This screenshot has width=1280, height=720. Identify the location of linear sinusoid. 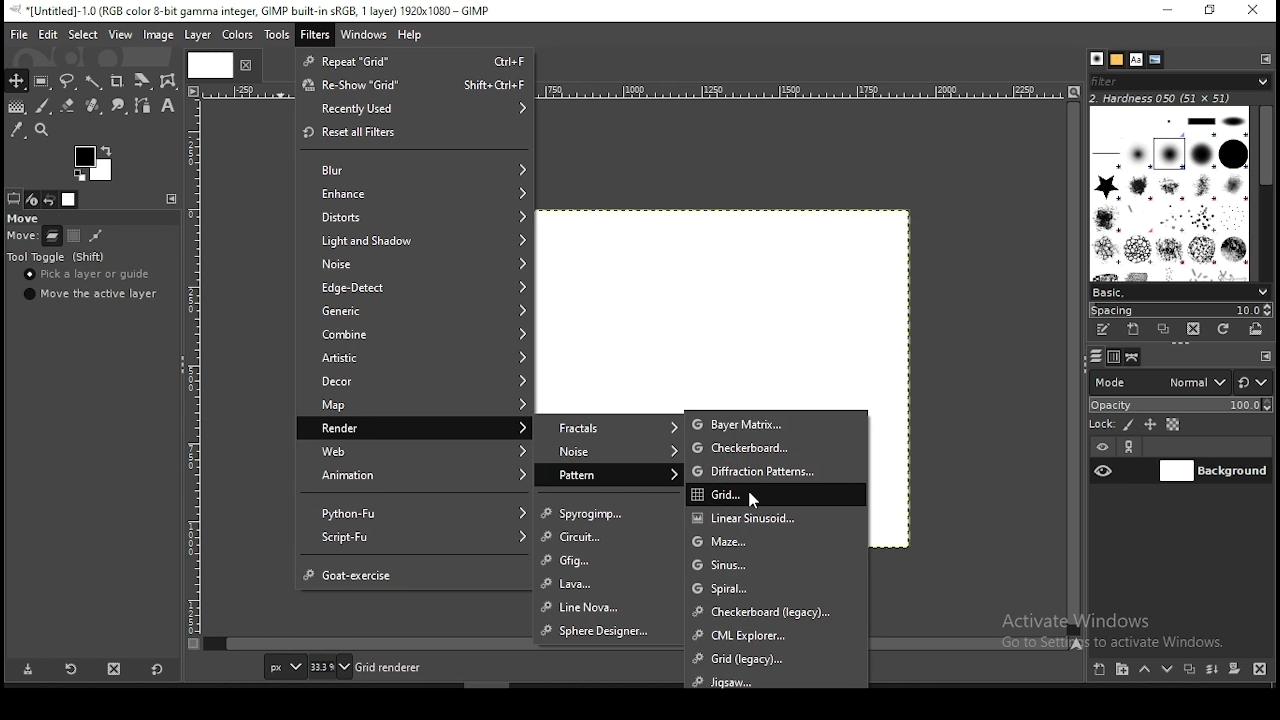
(774, 516).